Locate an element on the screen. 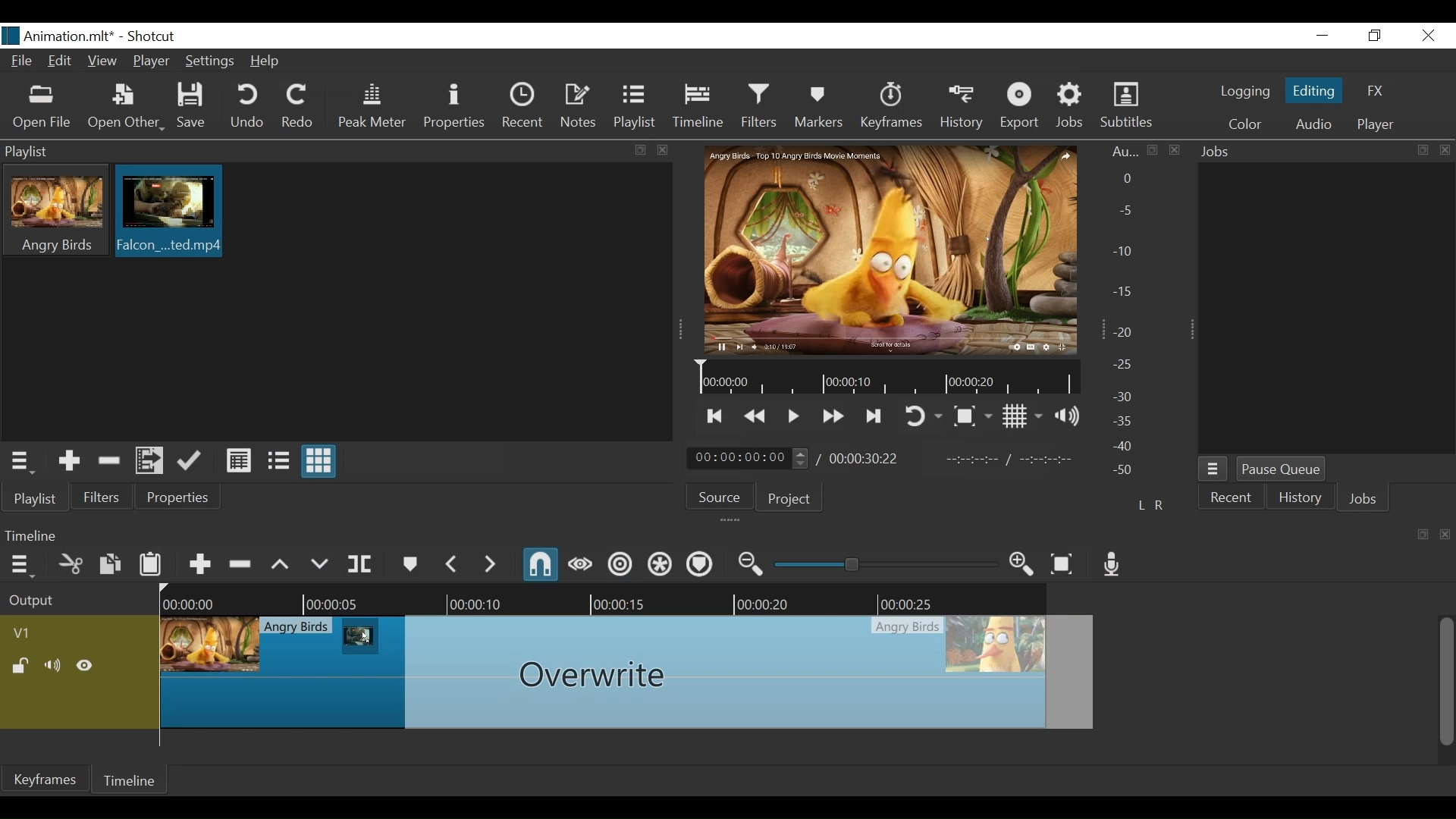  Overwrite is located at coordinates (319, 561).